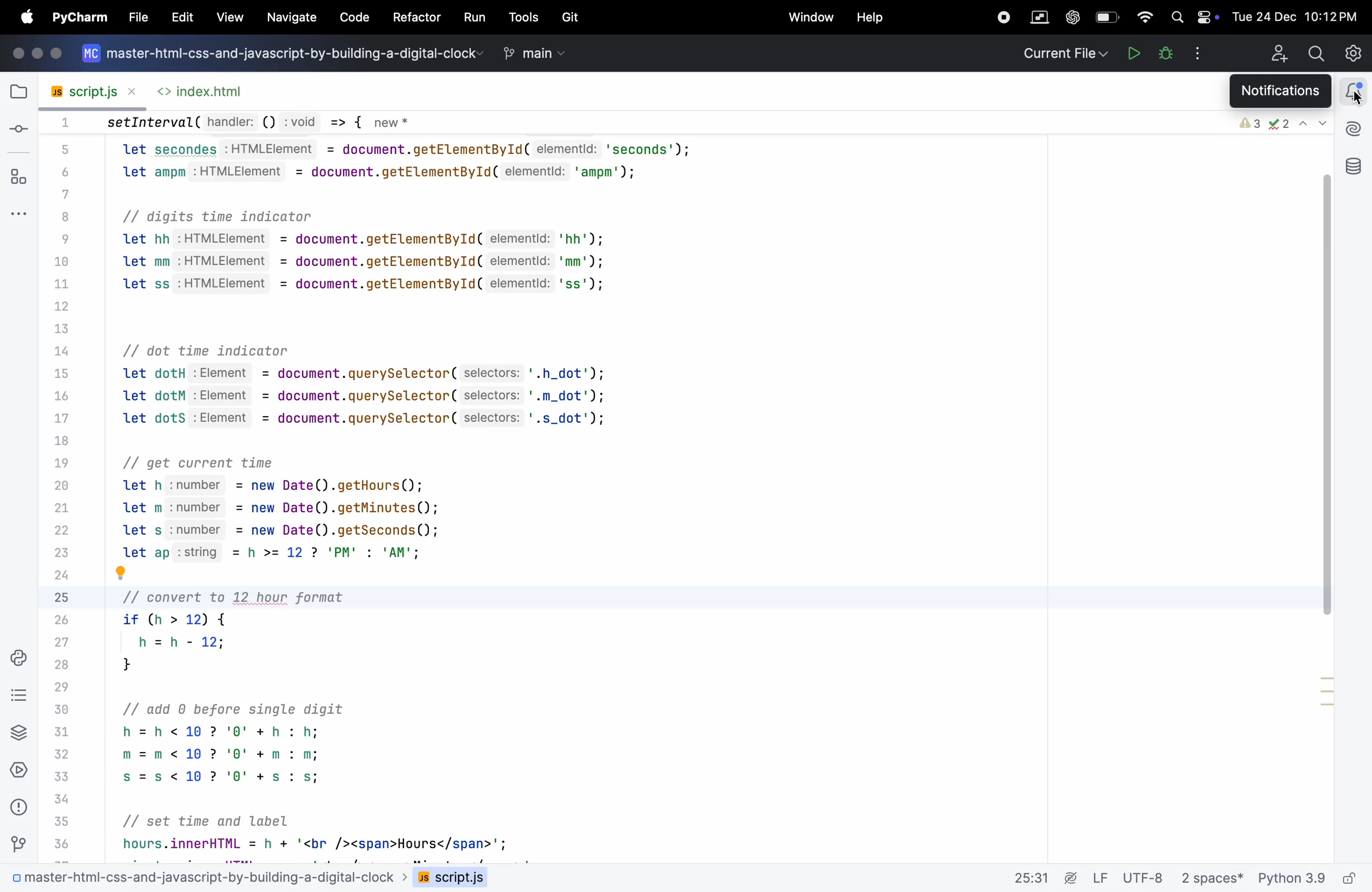 Image resolution: width=1372 pixels, height=892 pixels. I want to click on commit, so click(19, 127).